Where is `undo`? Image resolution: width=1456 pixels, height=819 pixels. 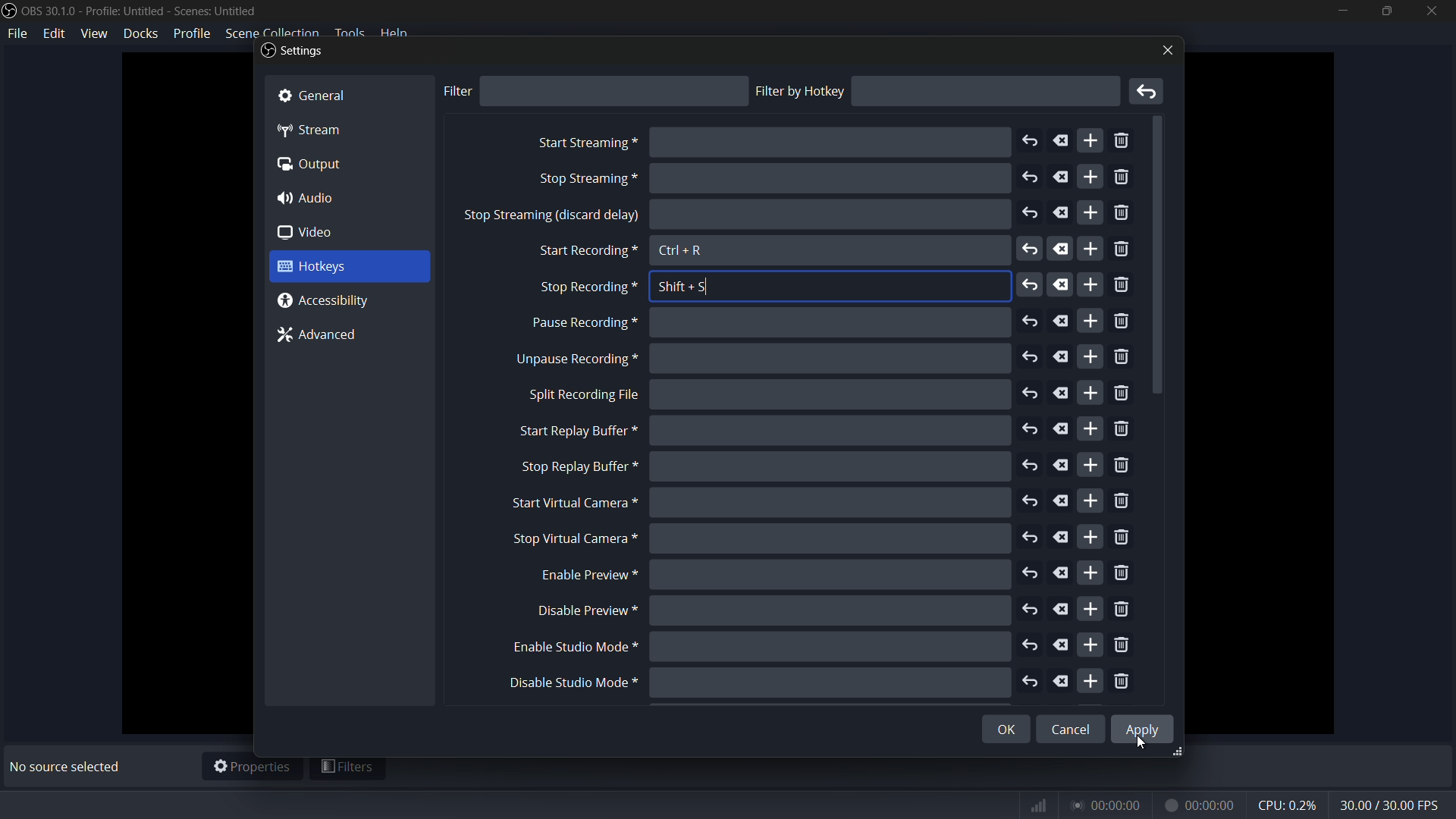 undo is located at coordinates (1030, 251).